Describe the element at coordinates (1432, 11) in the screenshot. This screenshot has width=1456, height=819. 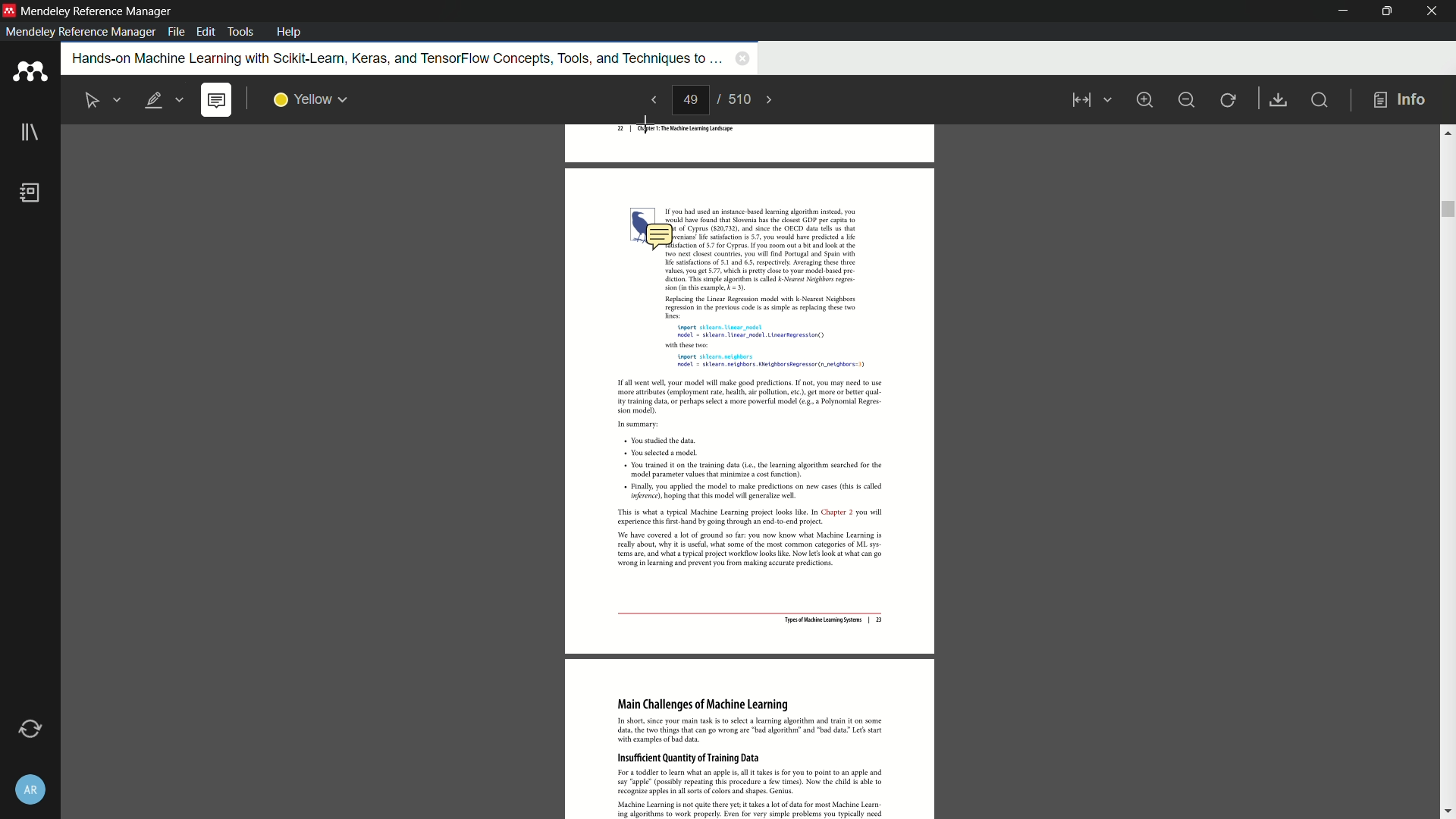
I see `close app` at that location.